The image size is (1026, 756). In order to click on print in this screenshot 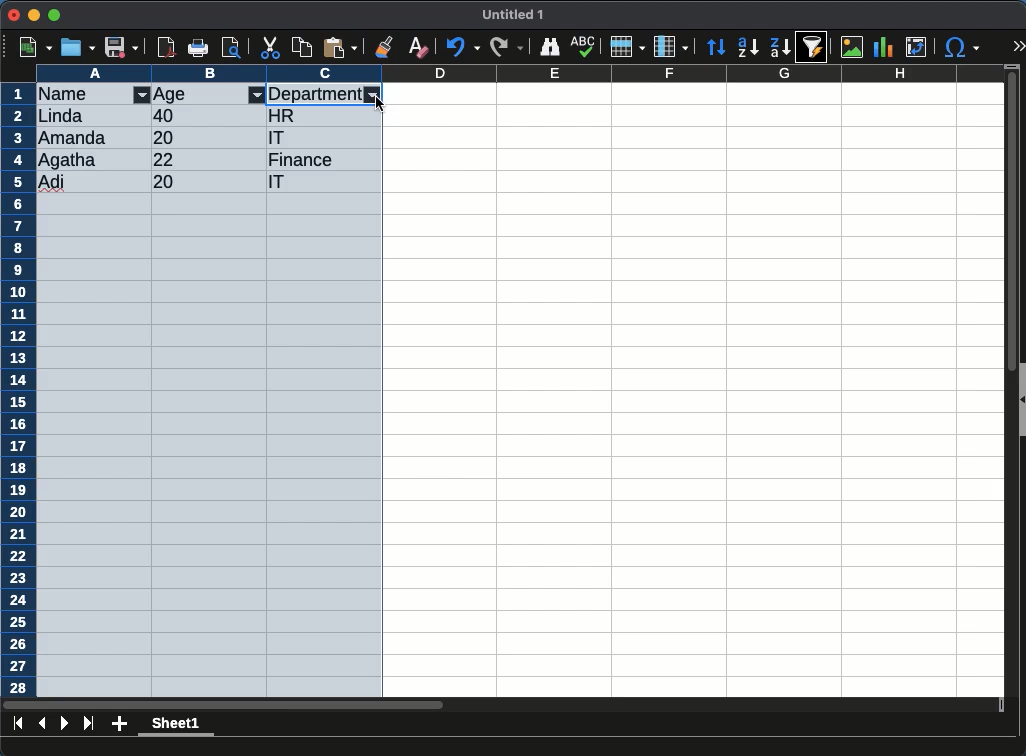, I will do `click(201, 47)`.